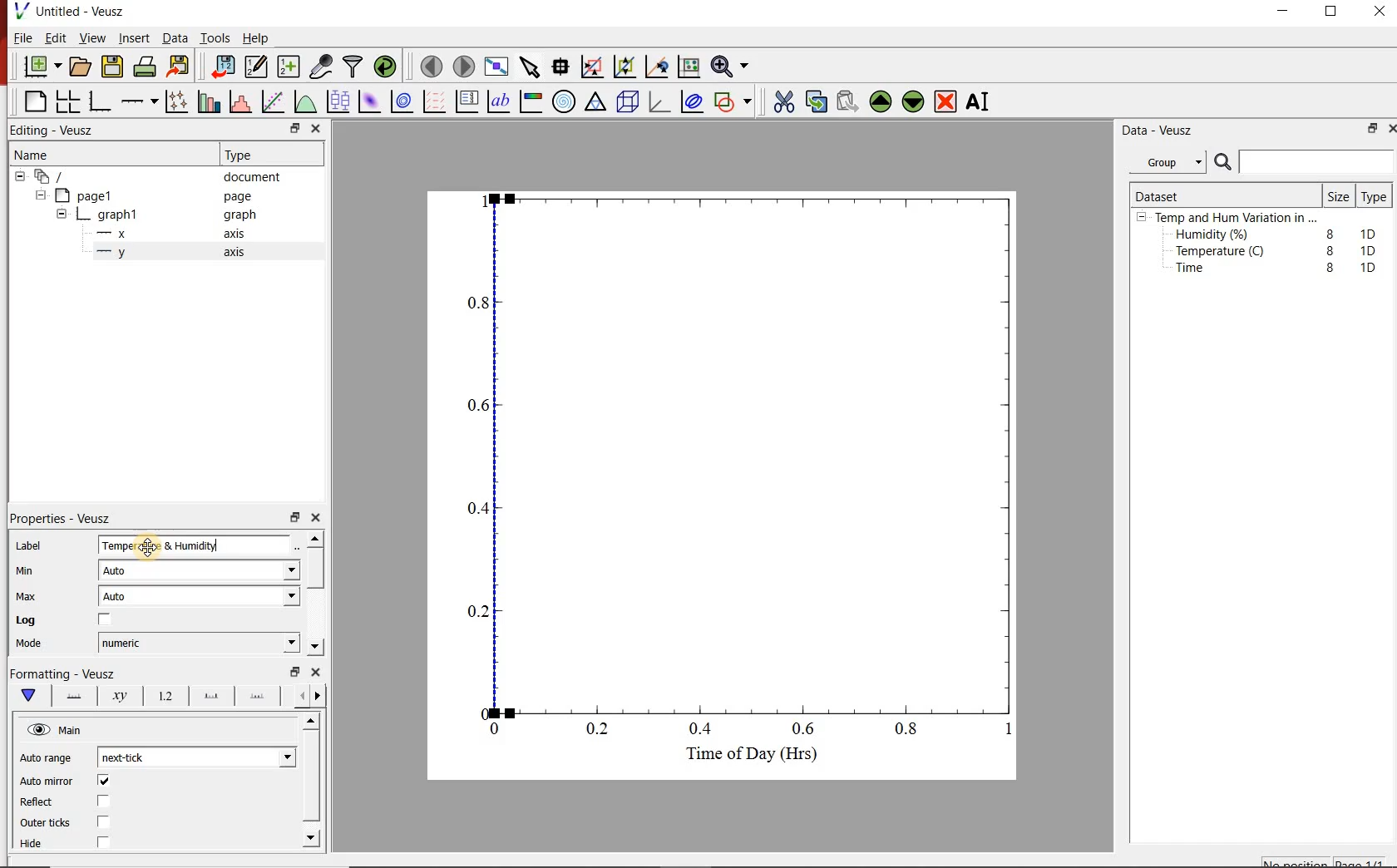 The height and width of the screenshot is (868, 1397). What do you see at coordinates (57, 130) in the screenshot?
I see `Editing - Veusz` at bounding box center [57, 130].